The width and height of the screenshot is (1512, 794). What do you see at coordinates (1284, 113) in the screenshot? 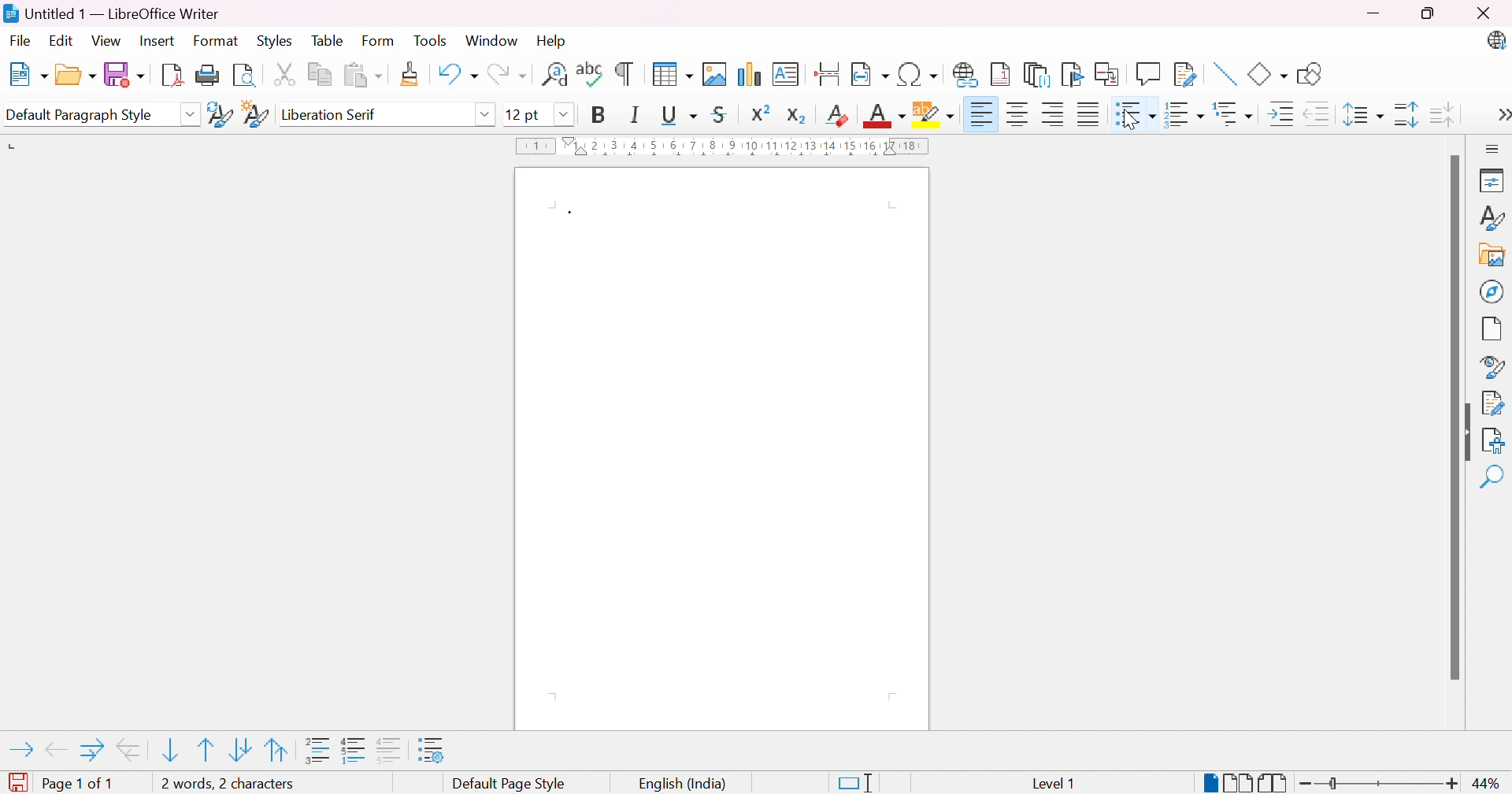
I see `Increase indent` at bounding box center [1284, 113].